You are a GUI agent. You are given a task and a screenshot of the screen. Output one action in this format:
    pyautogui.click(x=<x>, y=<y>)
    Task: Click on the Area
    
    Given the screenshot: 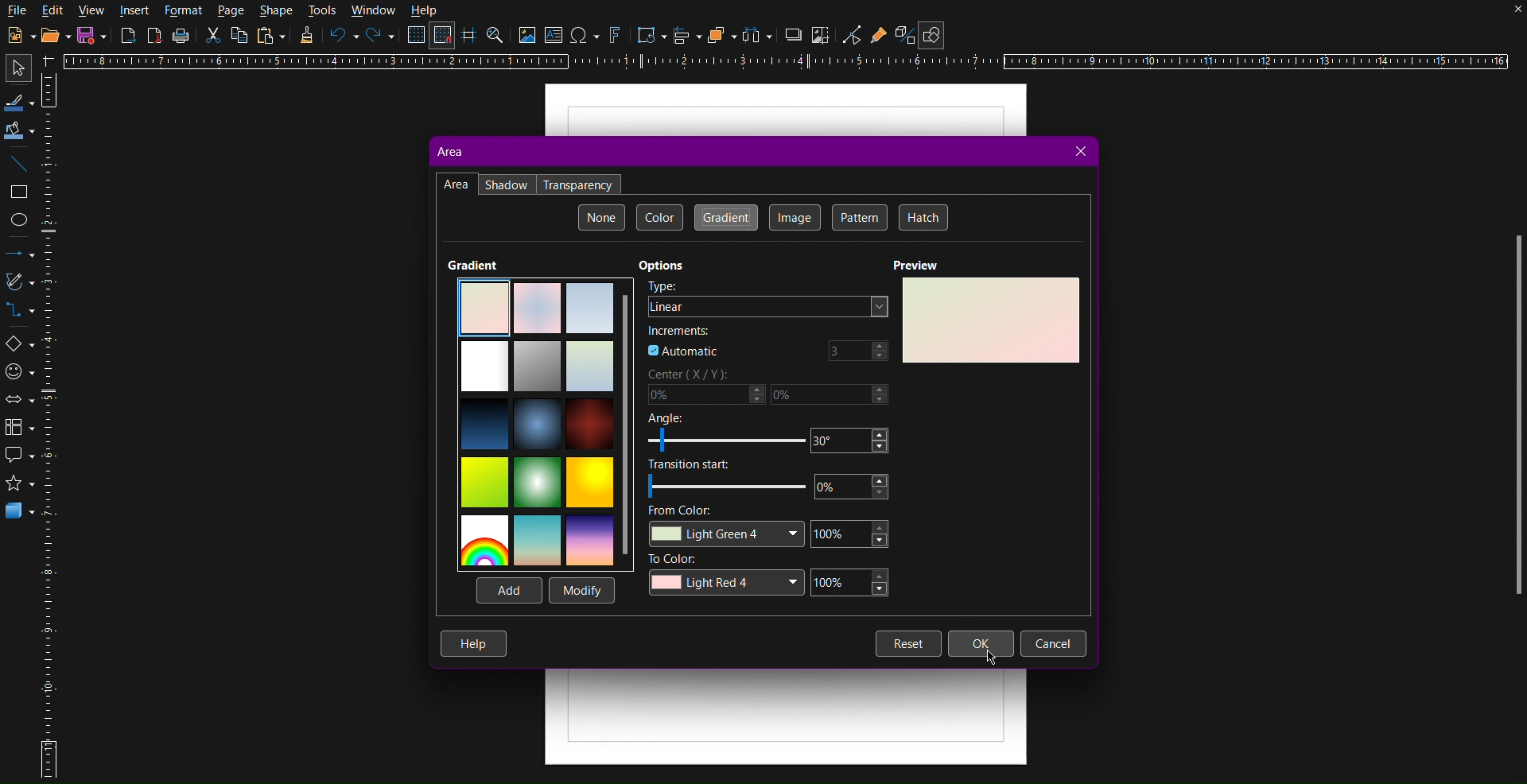 What is the action you would take?
    pyautogui.click(x=456, y=184)
    